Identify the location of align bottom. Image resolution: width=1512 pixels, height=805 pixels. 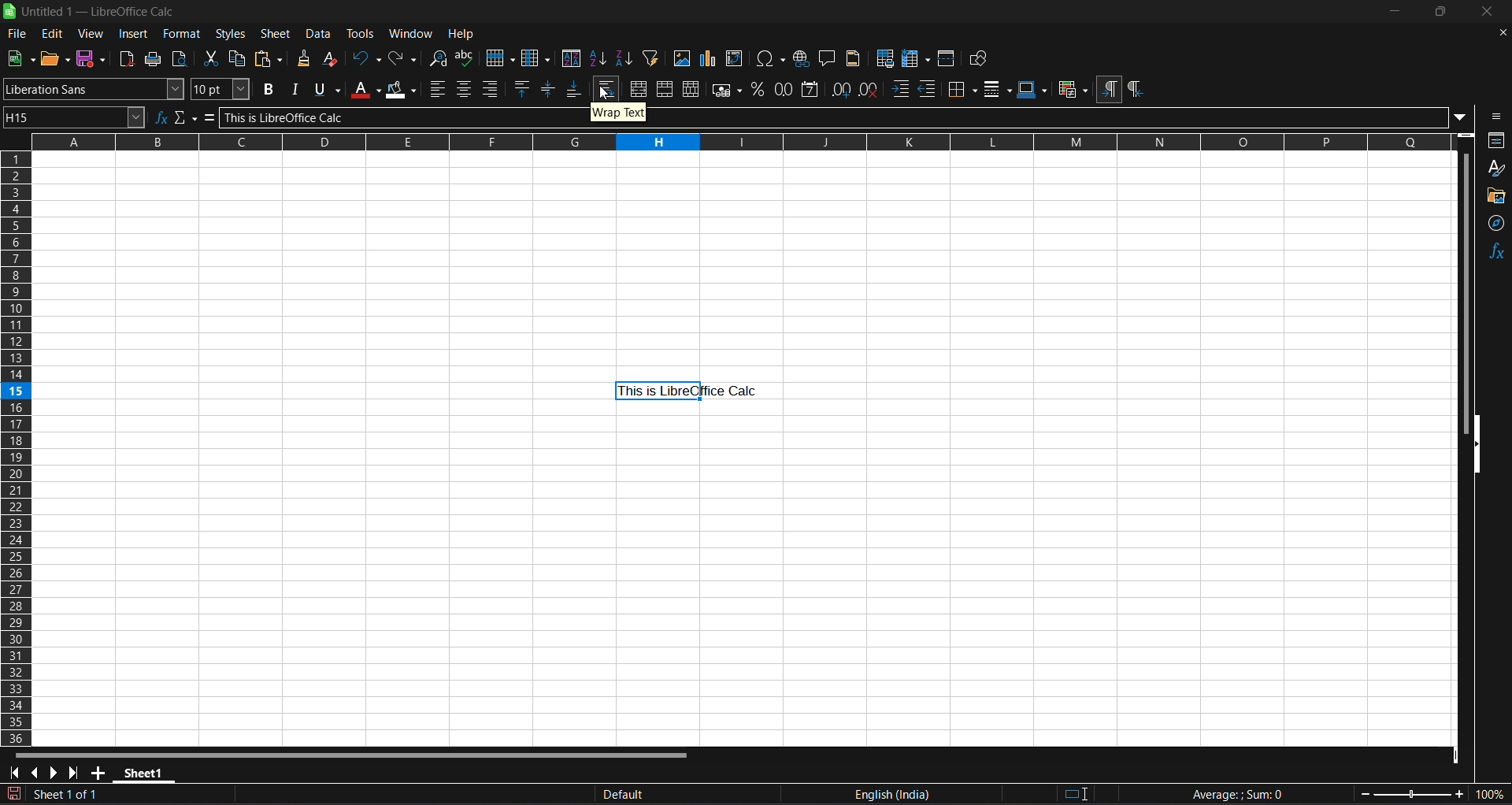
(575, 87).